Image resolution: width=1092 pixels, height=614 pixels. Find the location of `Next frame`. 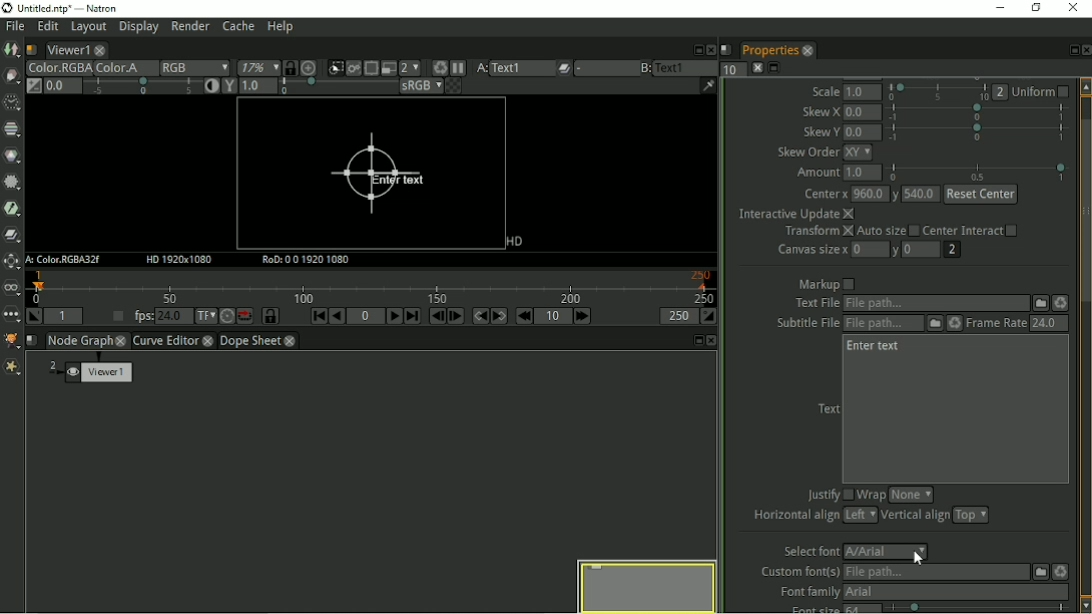

Next frame is located at coordinates (455, 316).